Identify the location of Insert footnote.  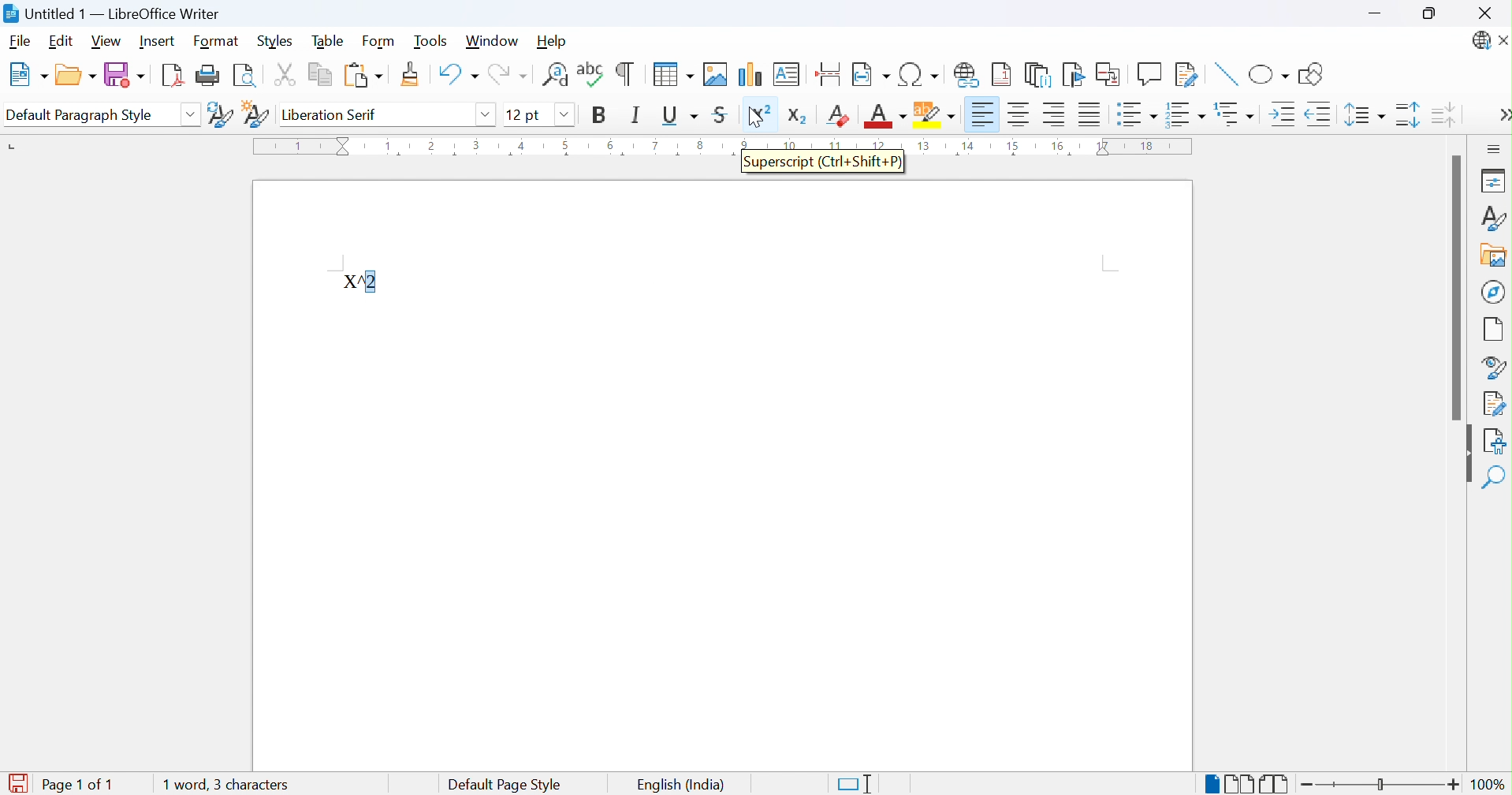
(1001, 76).